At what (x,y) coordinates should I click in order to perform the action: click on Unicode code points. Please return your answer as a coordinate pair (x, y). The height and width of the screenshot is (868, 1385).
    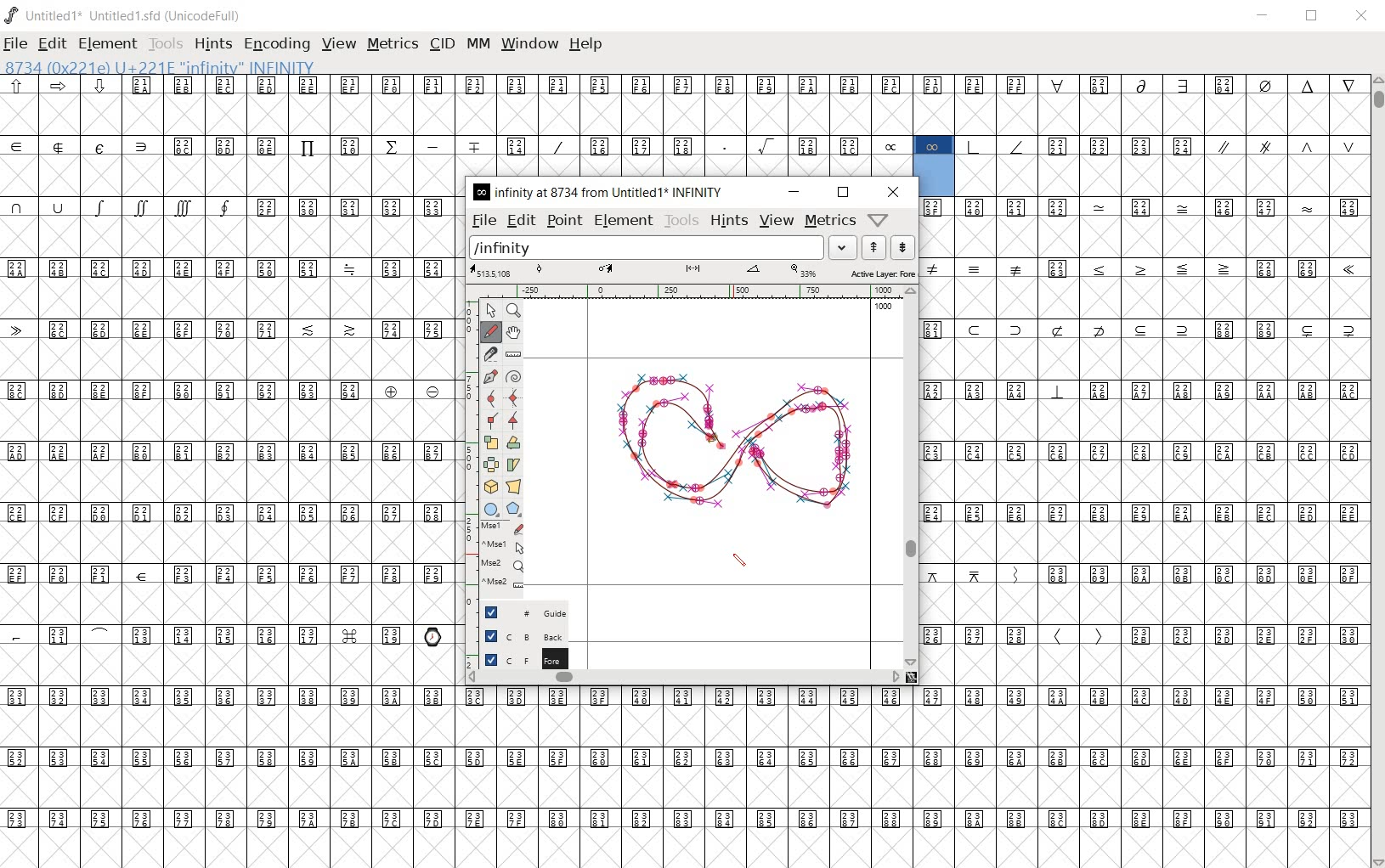
    Looking at the image, I should click on (231, 452).